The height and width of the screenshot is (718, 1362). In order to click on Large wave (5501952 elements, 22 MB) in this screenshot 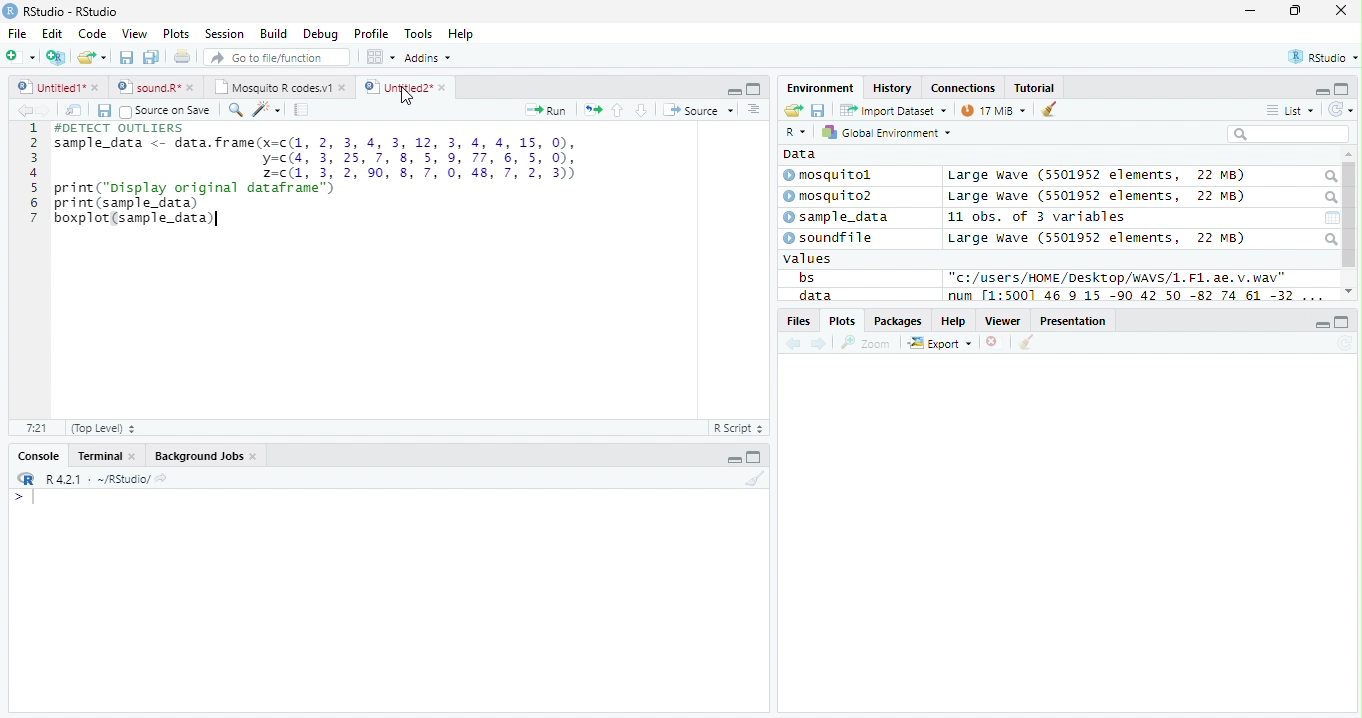, I will do `click(1096, 176)`.